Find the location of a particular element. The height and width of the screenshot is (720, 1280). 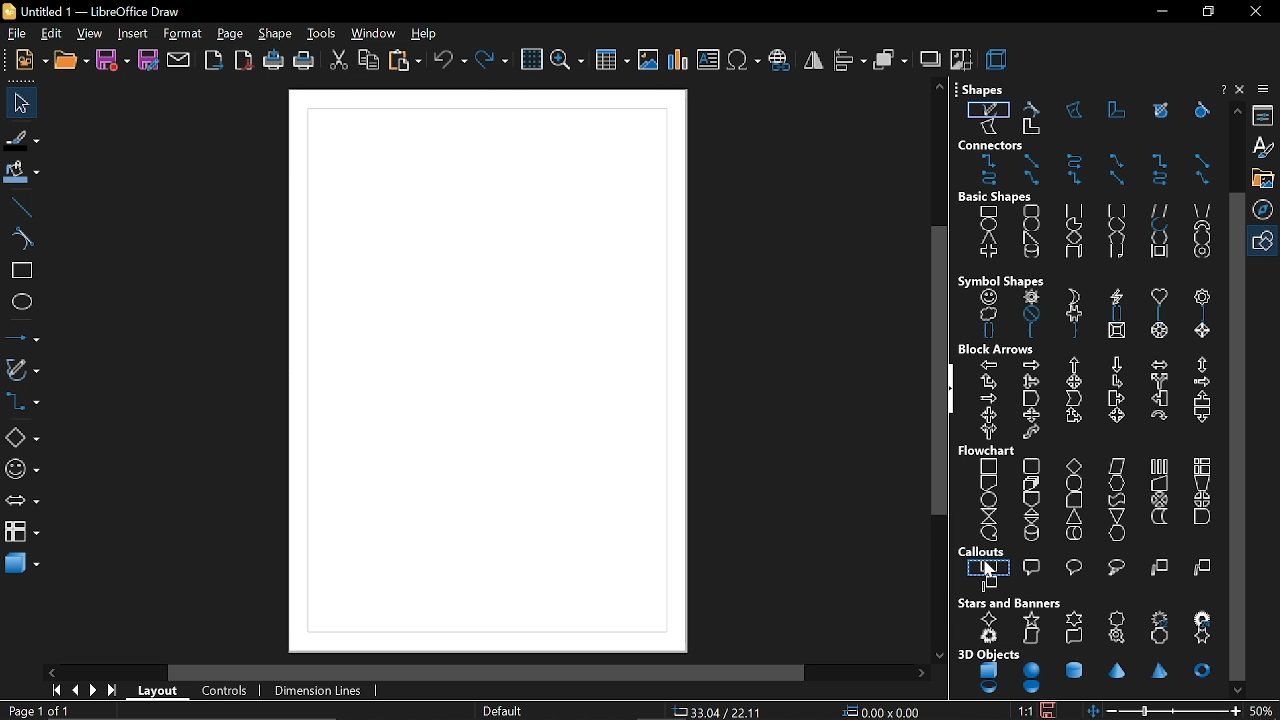

lines and arrows is located at coordinates (20, 334).